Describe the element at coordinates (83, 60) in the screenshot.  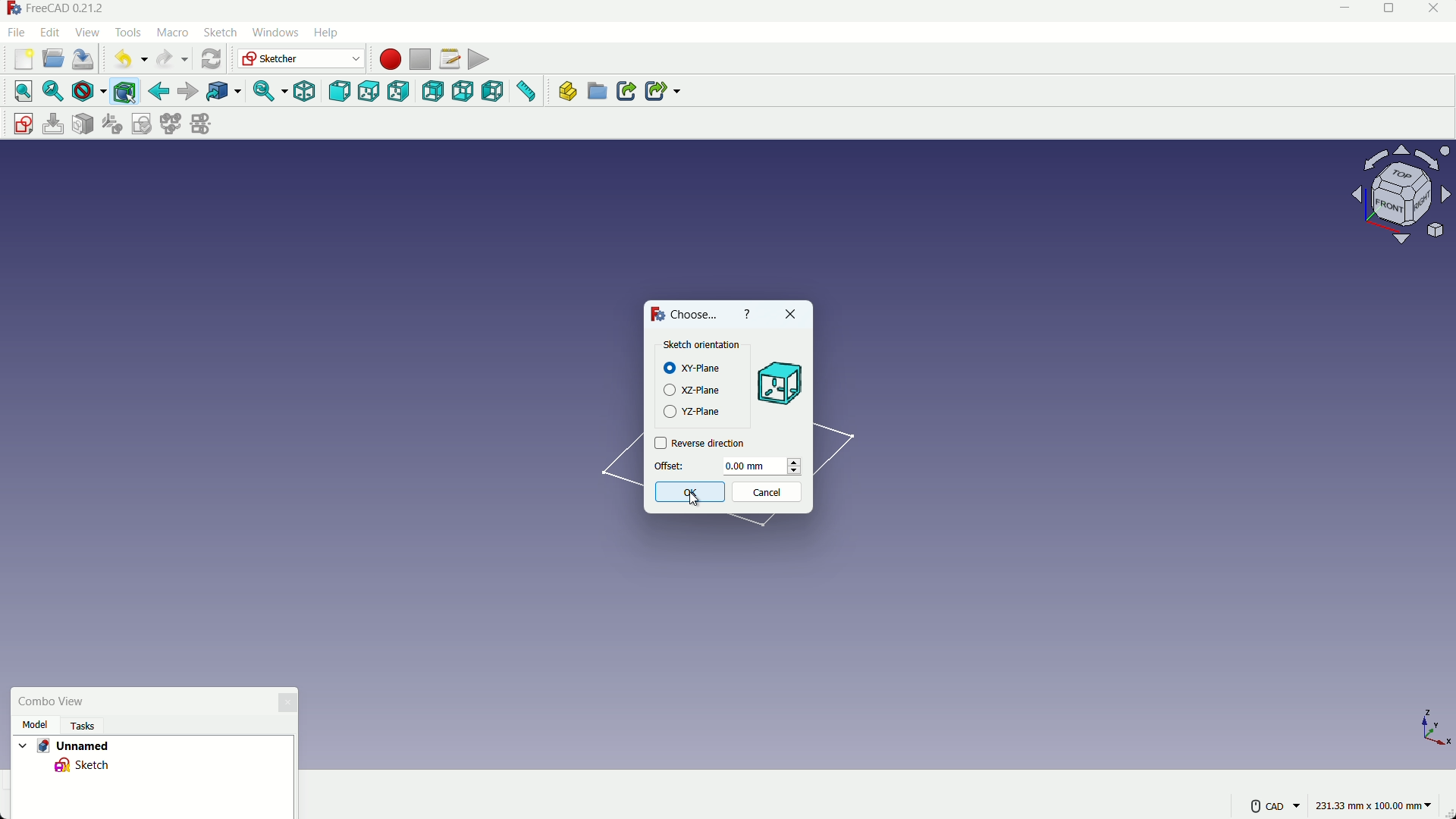
I see `save file` at that location.